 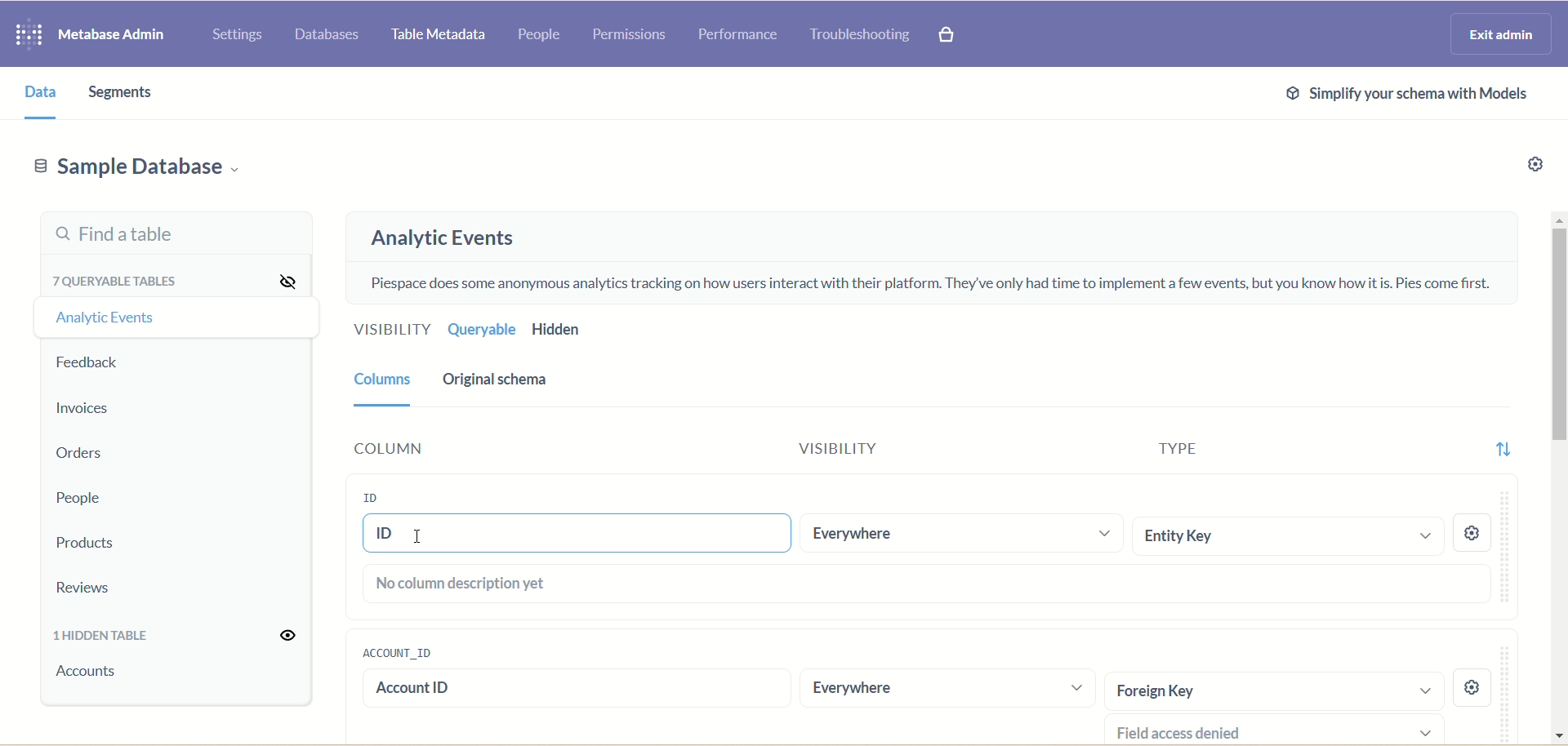 I want to click on Sort, so click(x=1508, y=446).